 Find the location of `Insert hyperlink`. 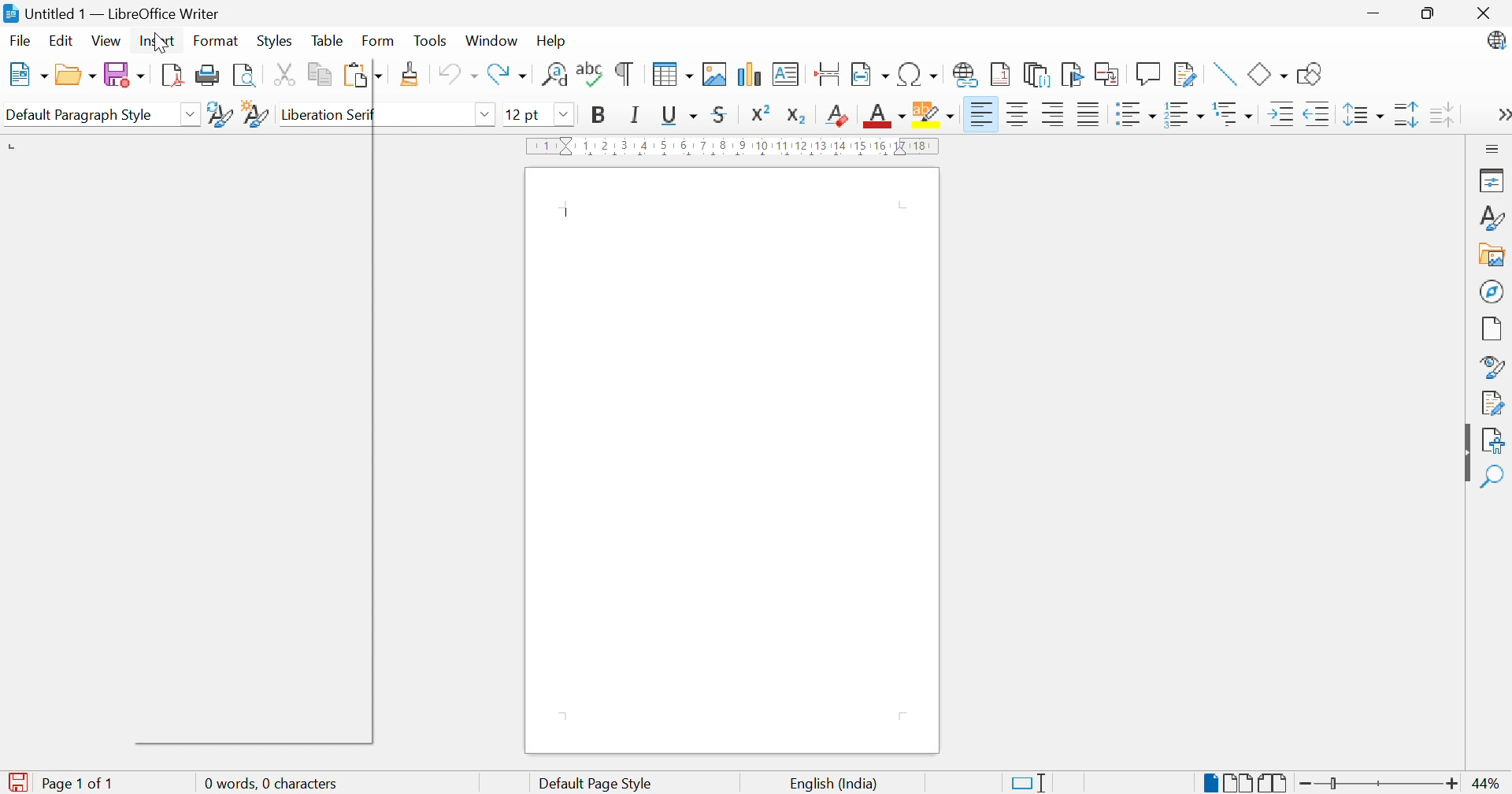

Insert hyperlink is located at coordinates (964, 75).